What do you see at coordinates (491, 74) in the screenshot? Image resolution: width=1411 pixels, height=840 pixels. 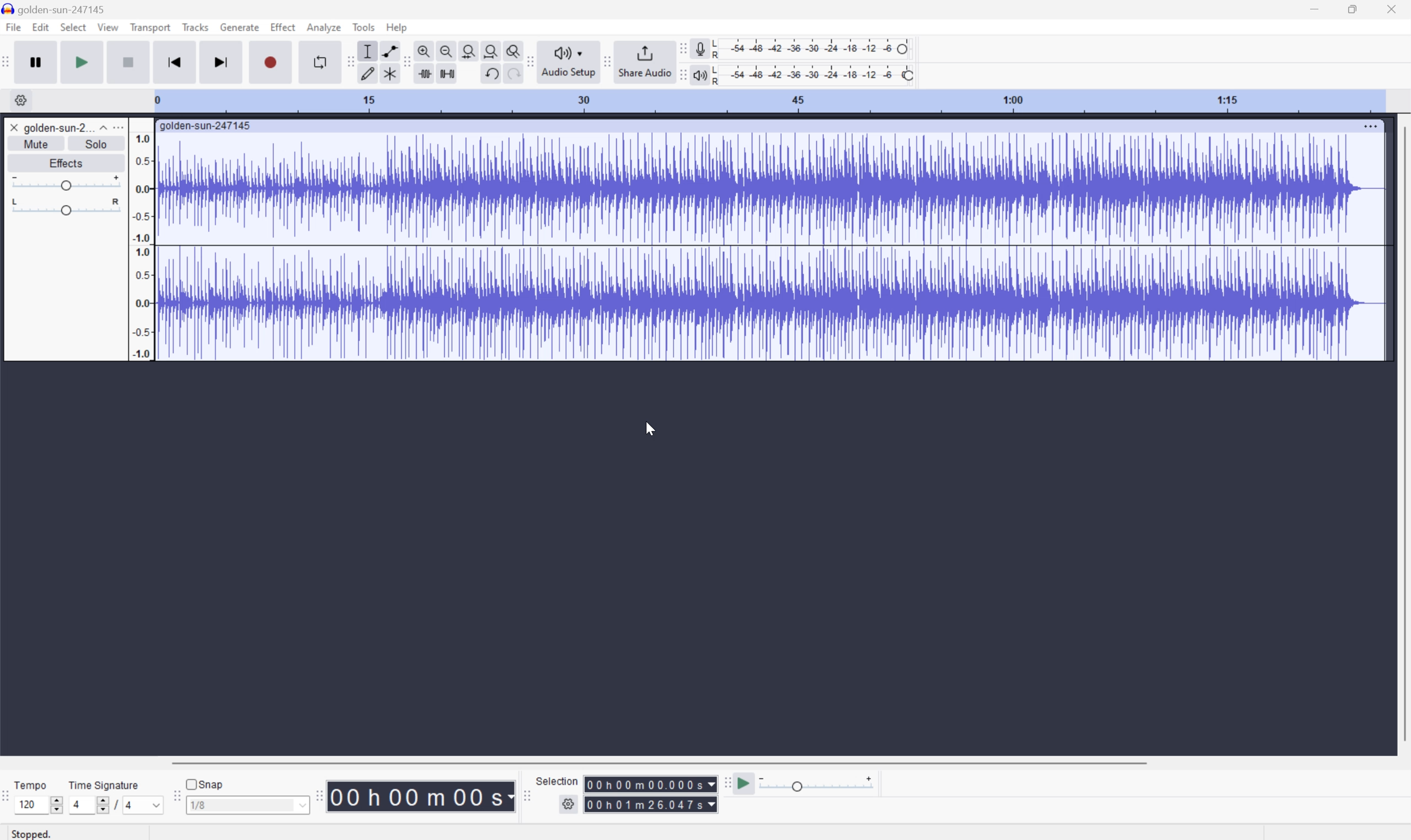 I see `Undo` at bounding box center [491, 74].